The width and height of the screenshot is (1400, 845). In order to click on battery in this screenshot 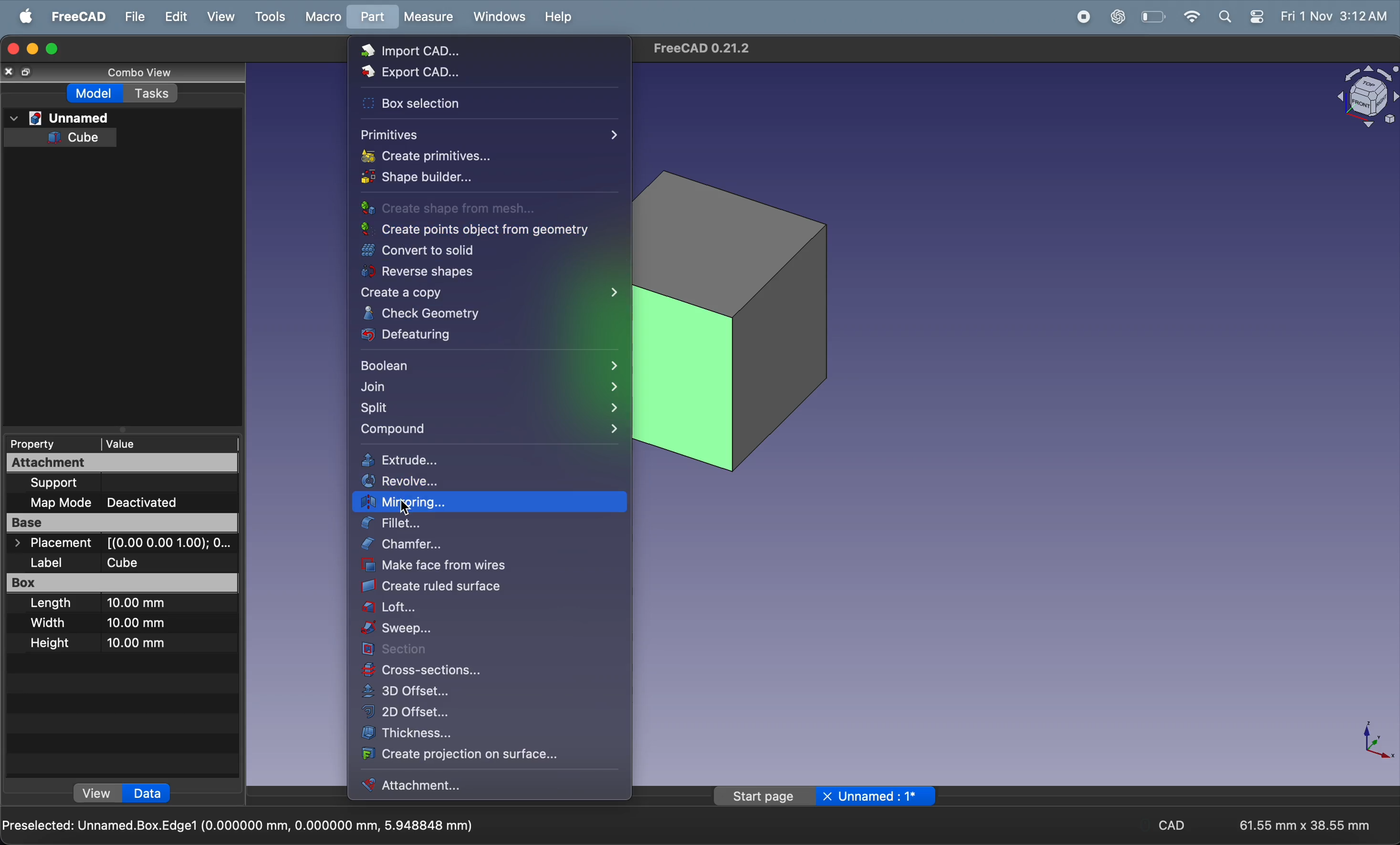, I will do `click(1155, 17)`.